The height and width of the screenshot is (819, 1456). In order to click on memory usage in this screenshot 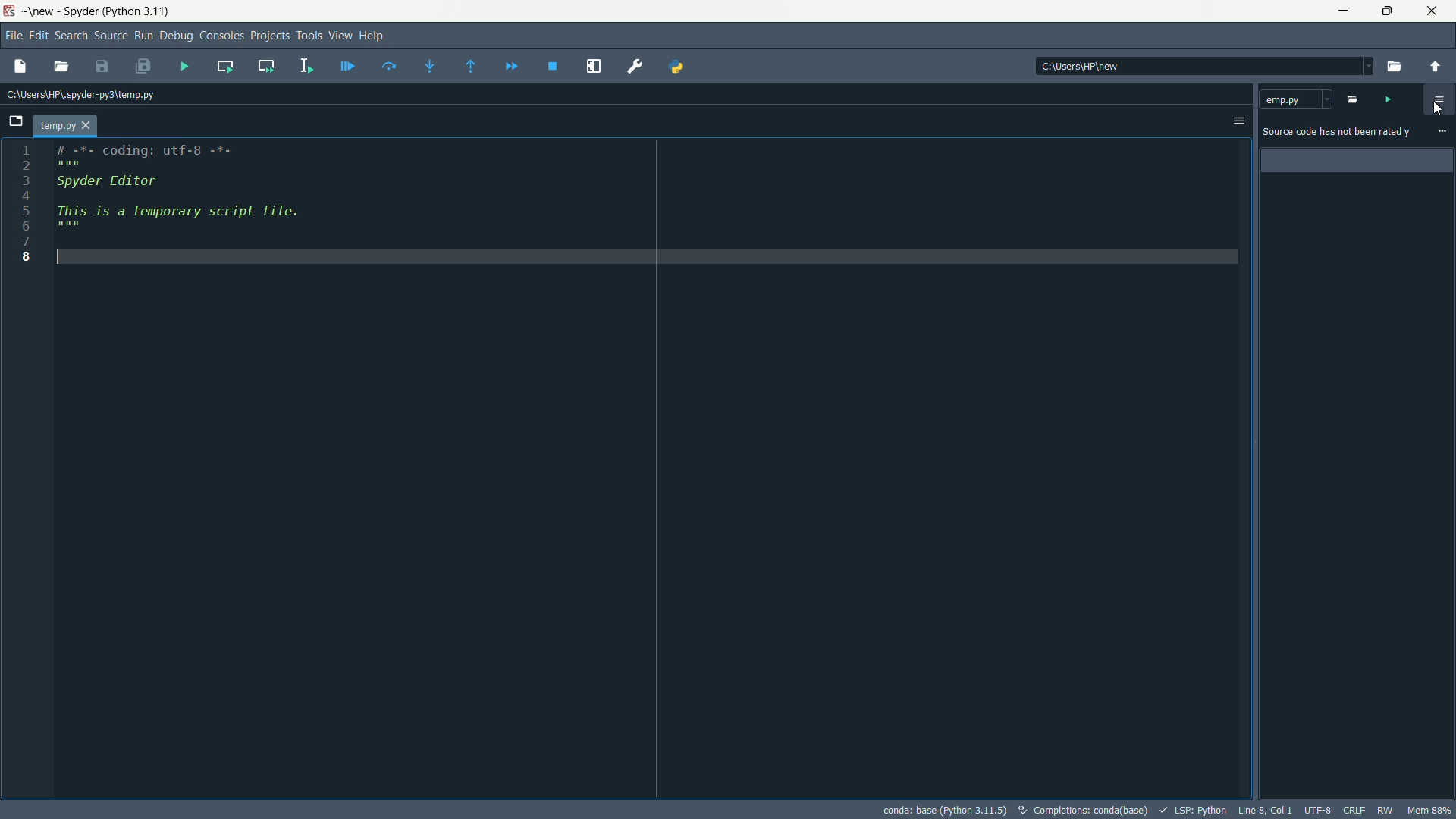, I will do `click(1429, 810)`.